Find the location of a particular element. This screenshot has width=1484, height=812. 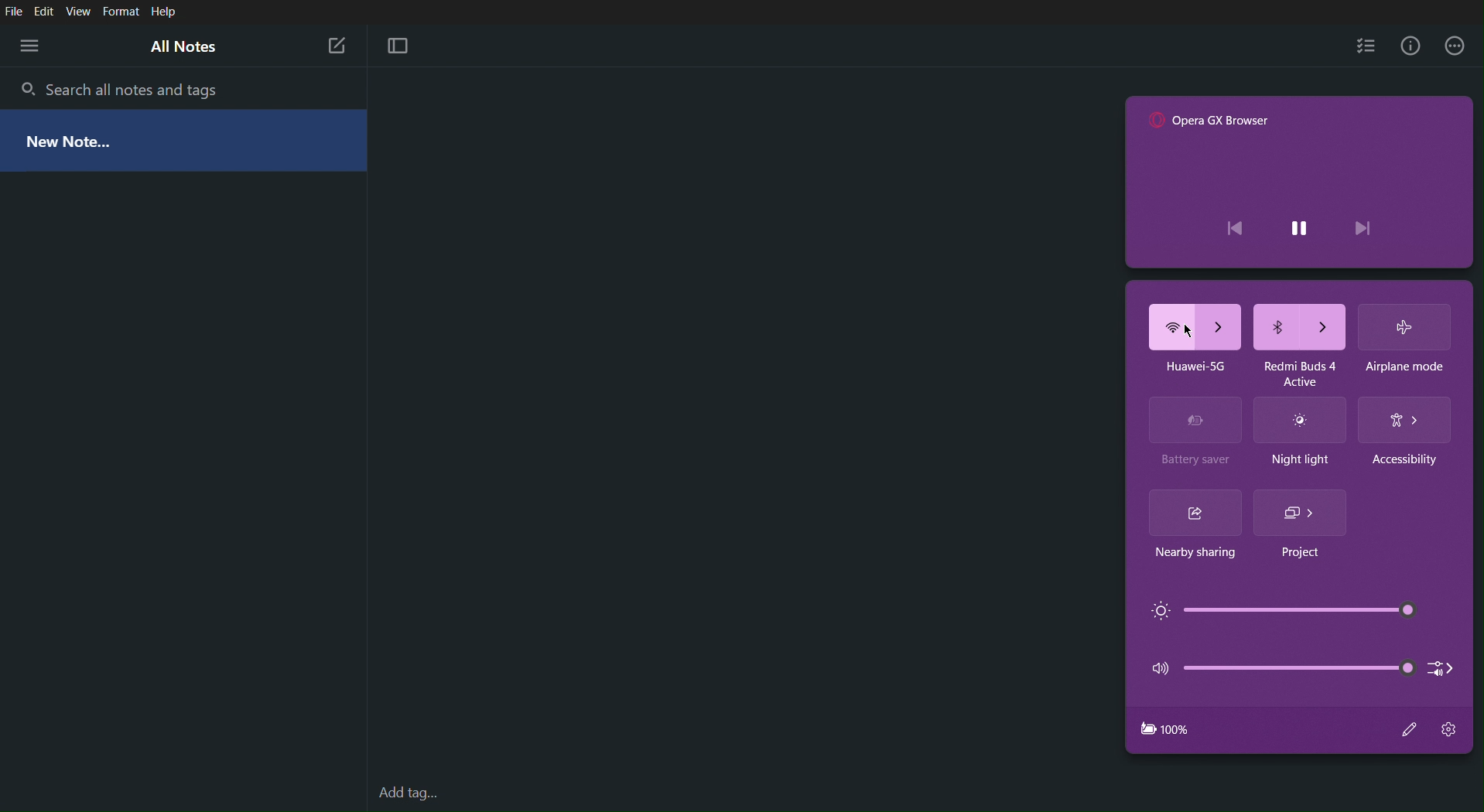

Help is located at coordinates (164, 12).